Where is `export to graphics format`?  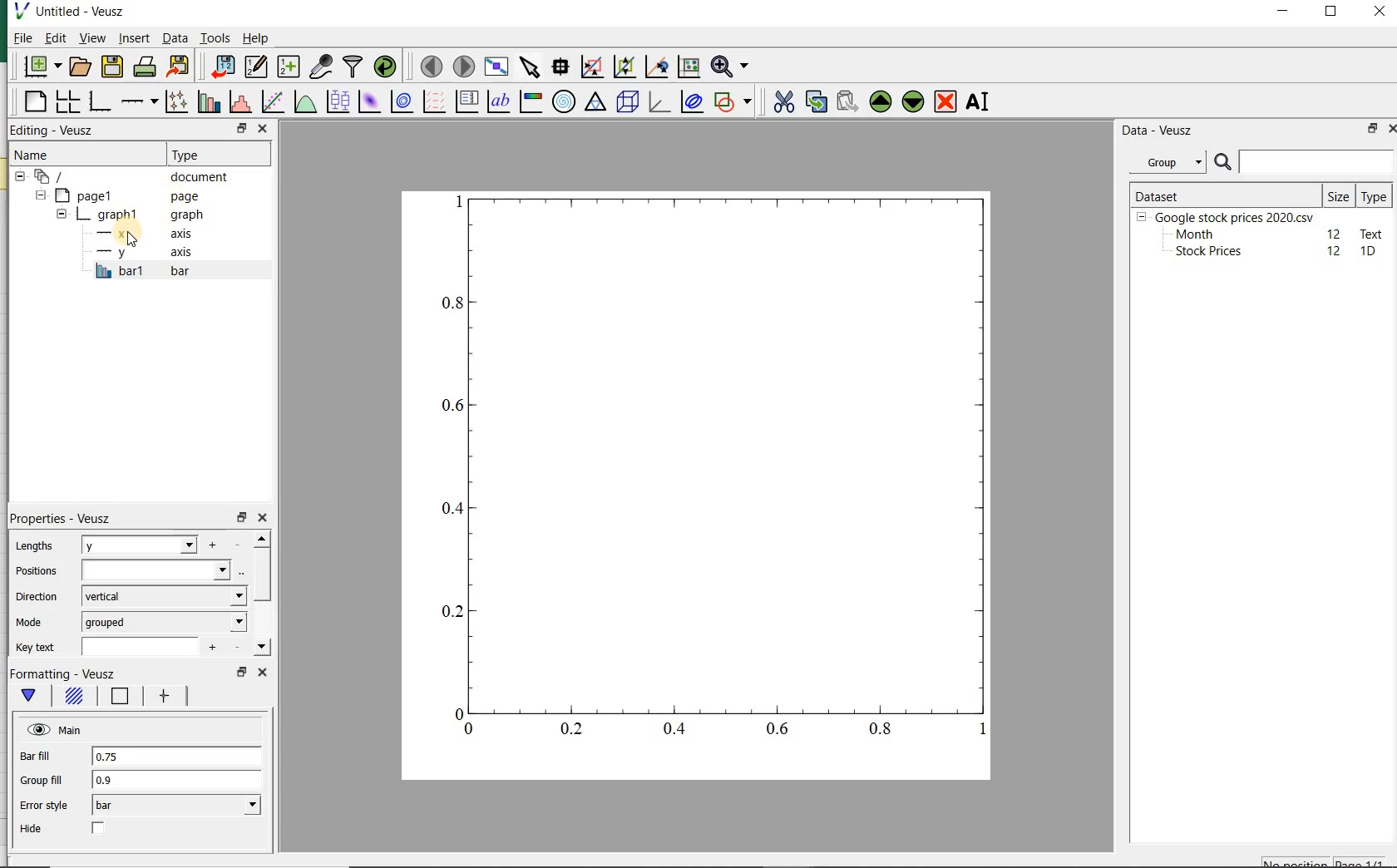
export to graphics format is located at coordinates (179, 67).